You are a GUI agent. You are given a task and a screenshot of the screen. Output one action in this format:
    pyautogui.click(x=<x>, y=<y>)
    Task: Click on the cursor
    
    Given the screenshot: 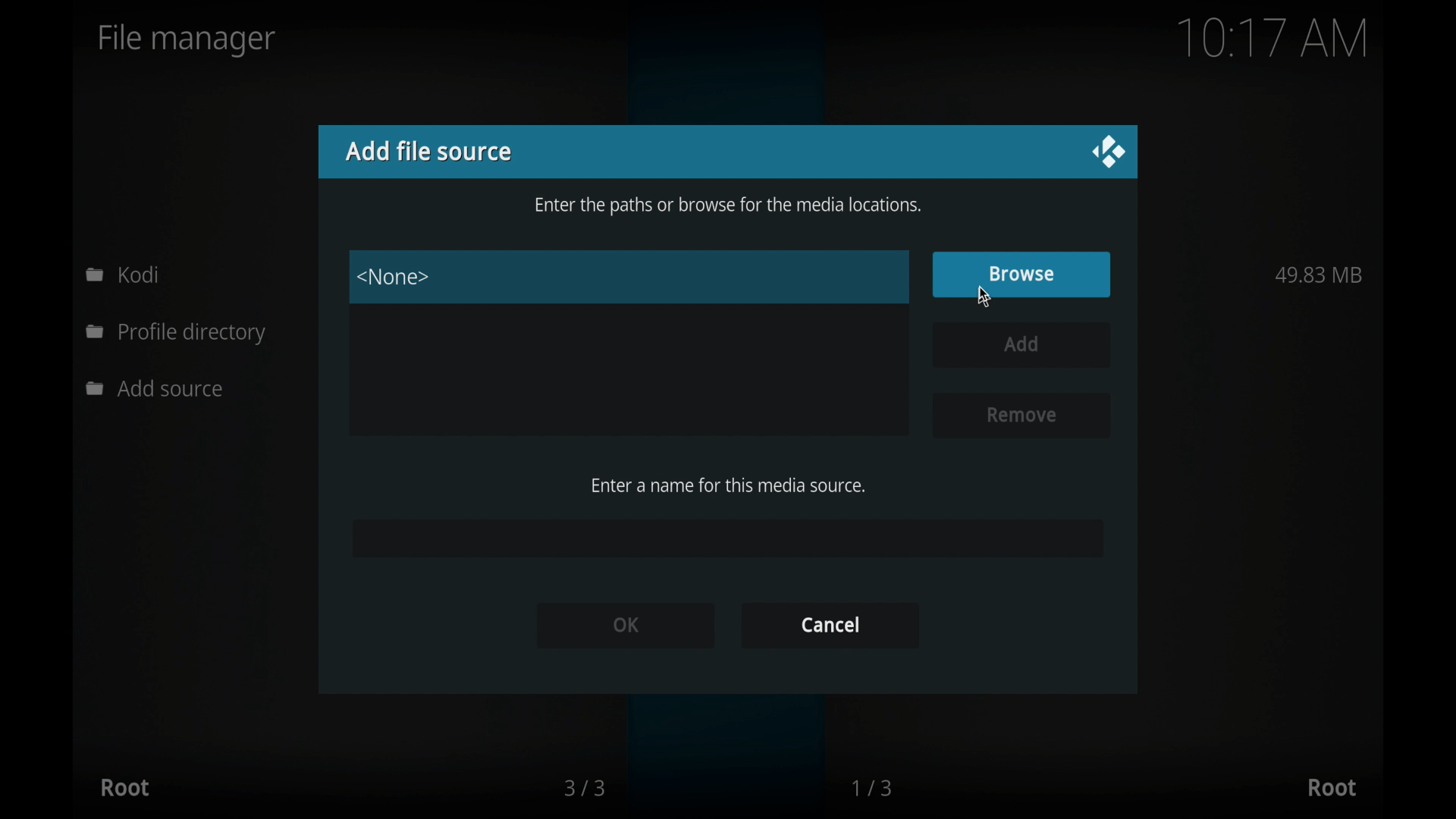 What is the action you would take?
    pyautogui.click(x=984, y=297)
    